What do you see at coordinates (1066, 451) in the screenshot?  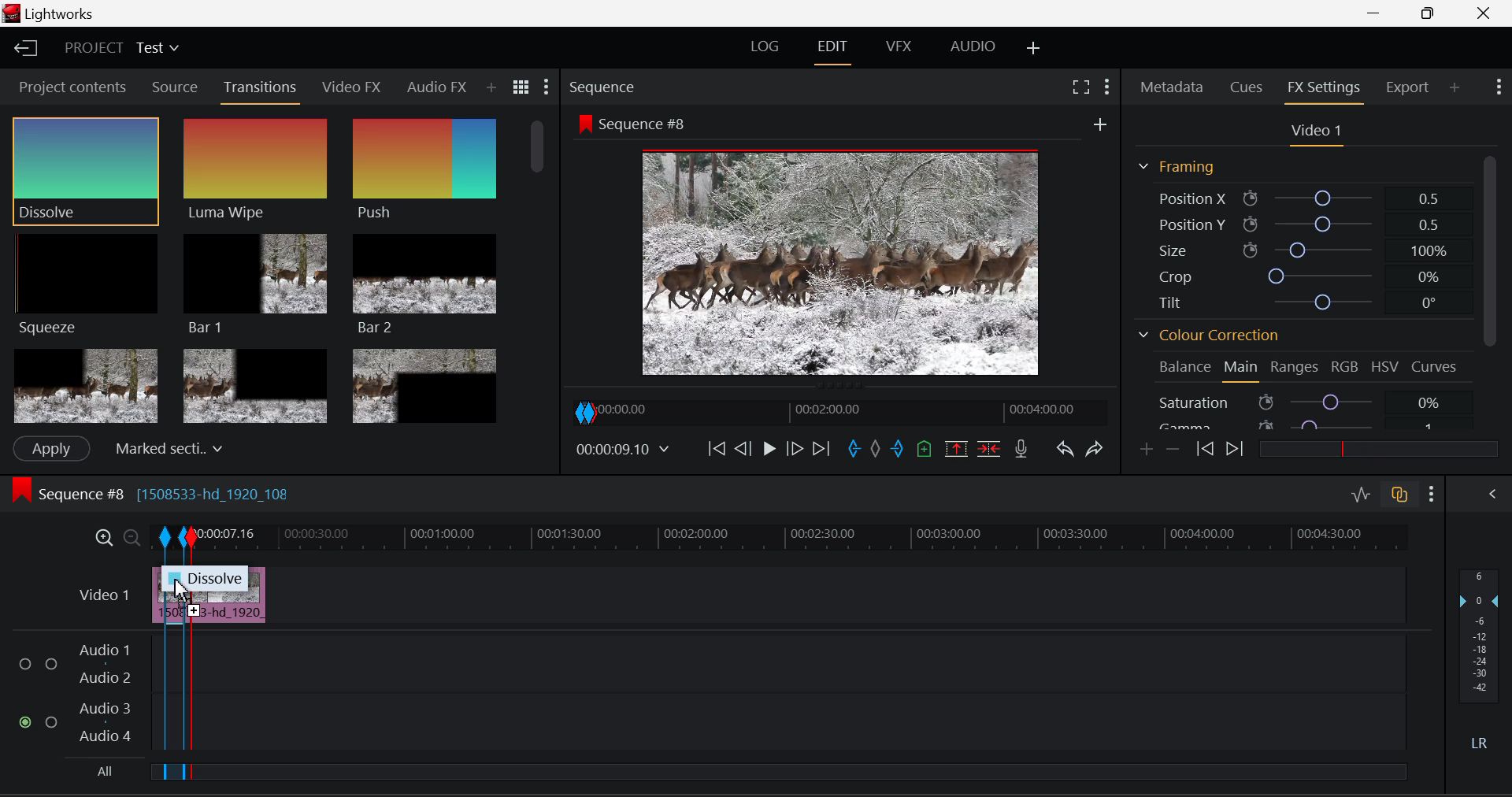 I see `Undo` at bounding box center [1066, 451].